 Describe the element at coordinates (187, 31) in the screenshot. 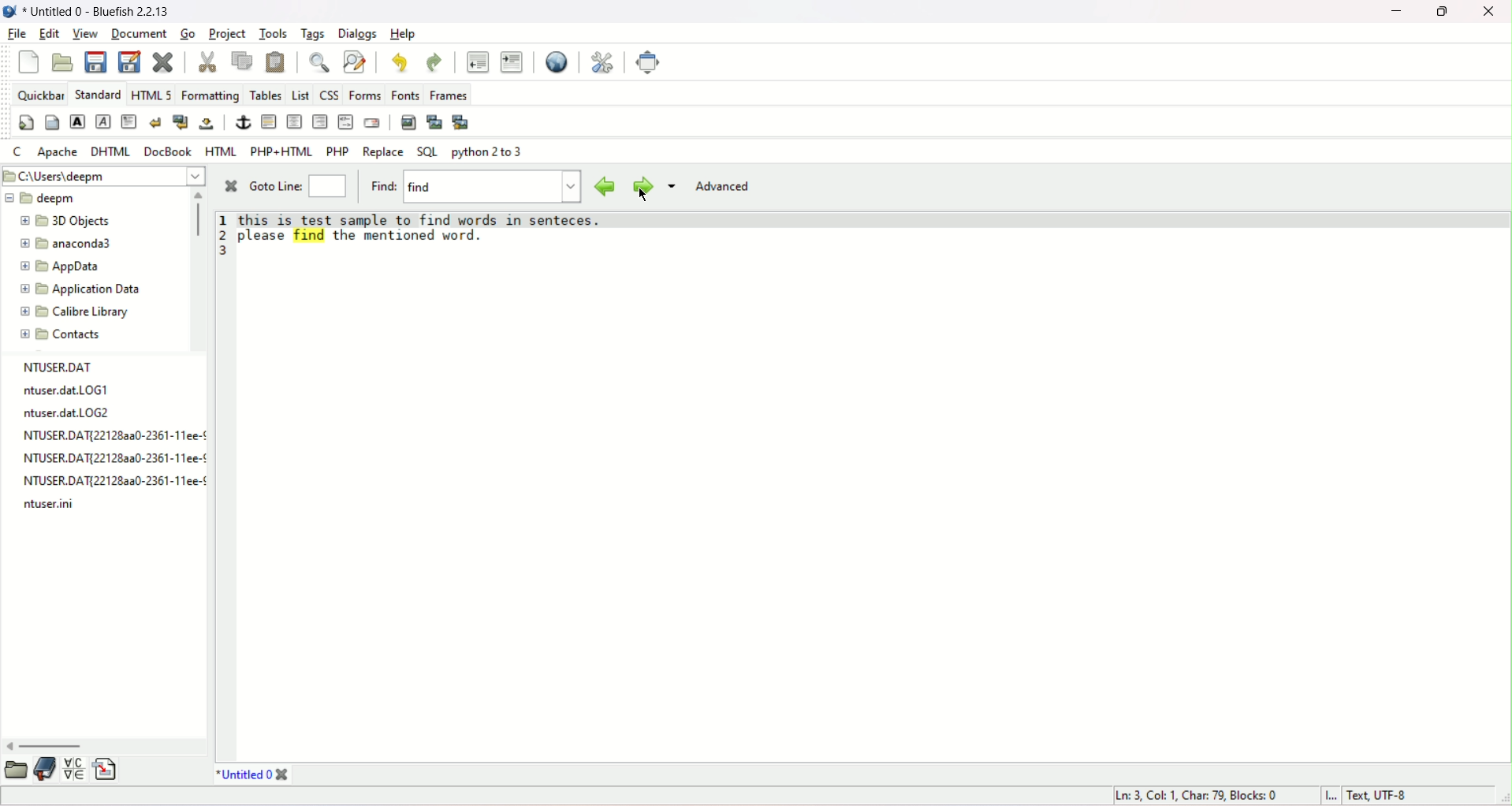

I see `go` at that location.